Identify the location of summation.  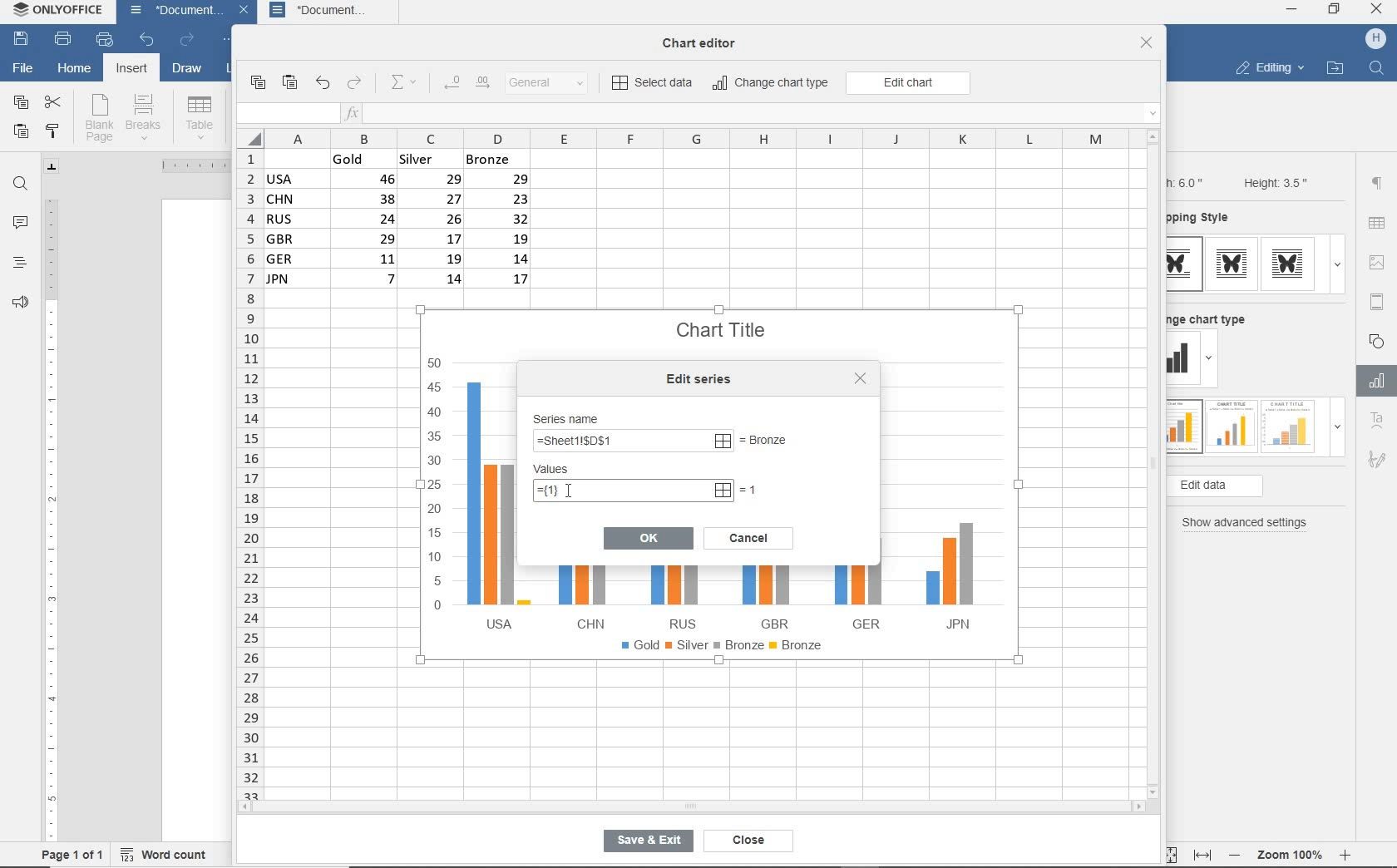
(407, 83).